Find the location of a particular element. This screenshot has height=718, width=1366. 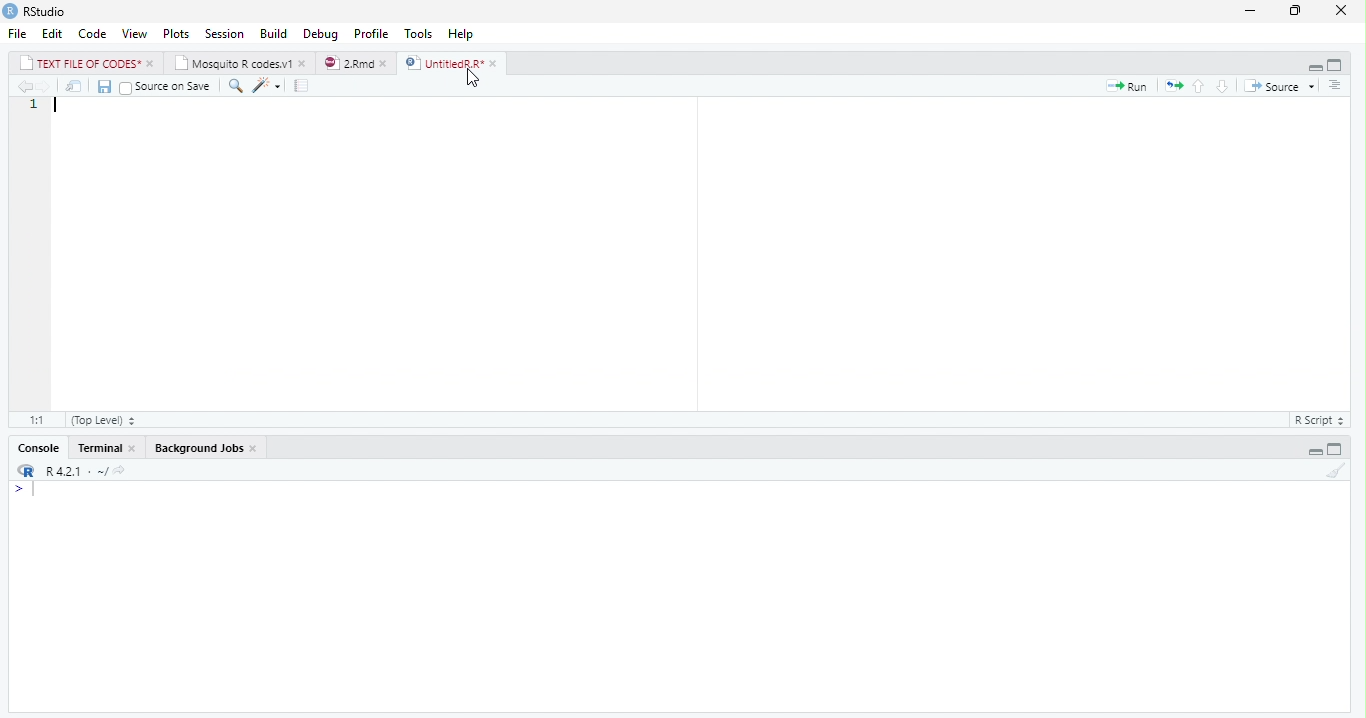

clear console is located at coordinates (1336, 471).